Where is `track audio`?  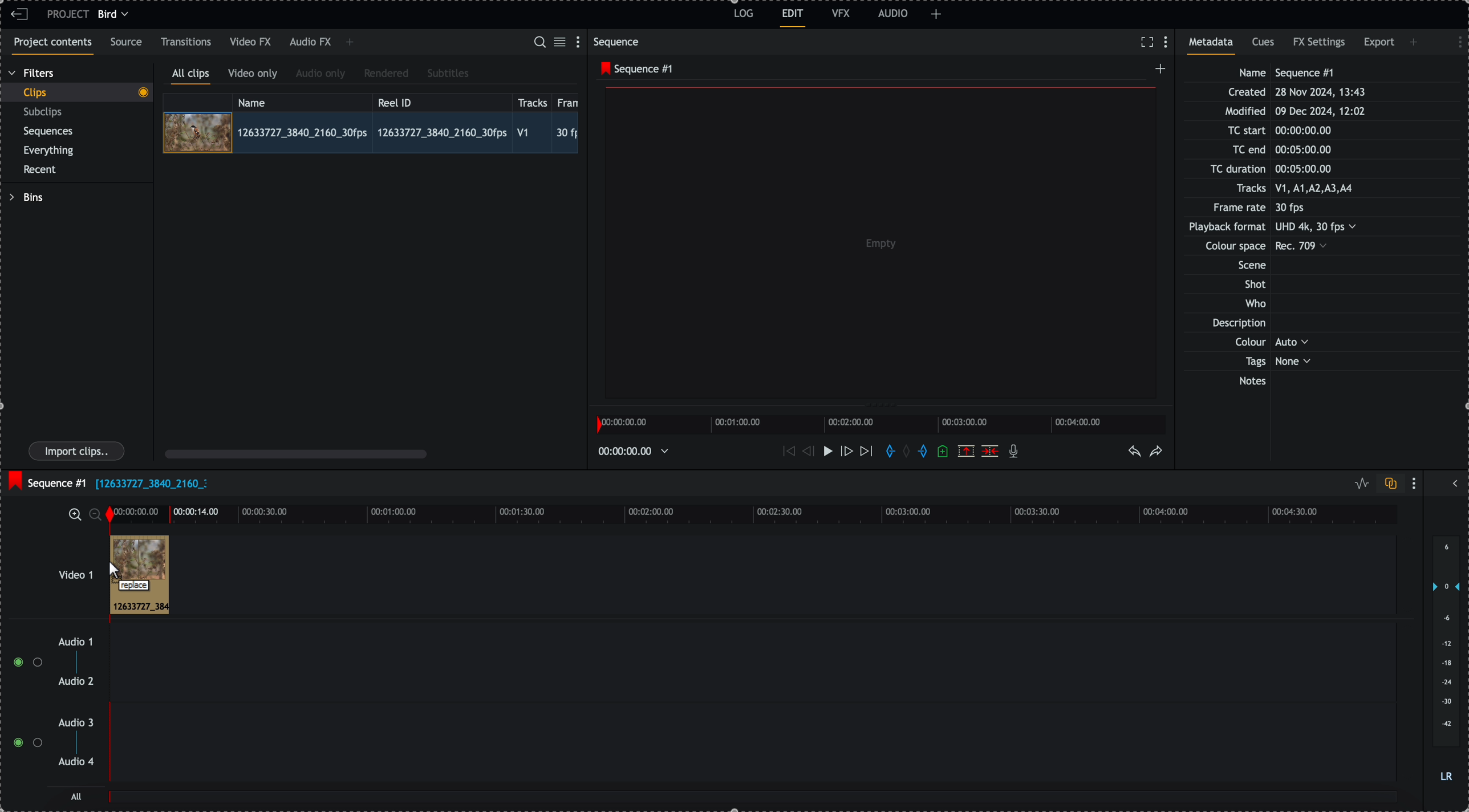
track audio is located at coordinates (752, 666).